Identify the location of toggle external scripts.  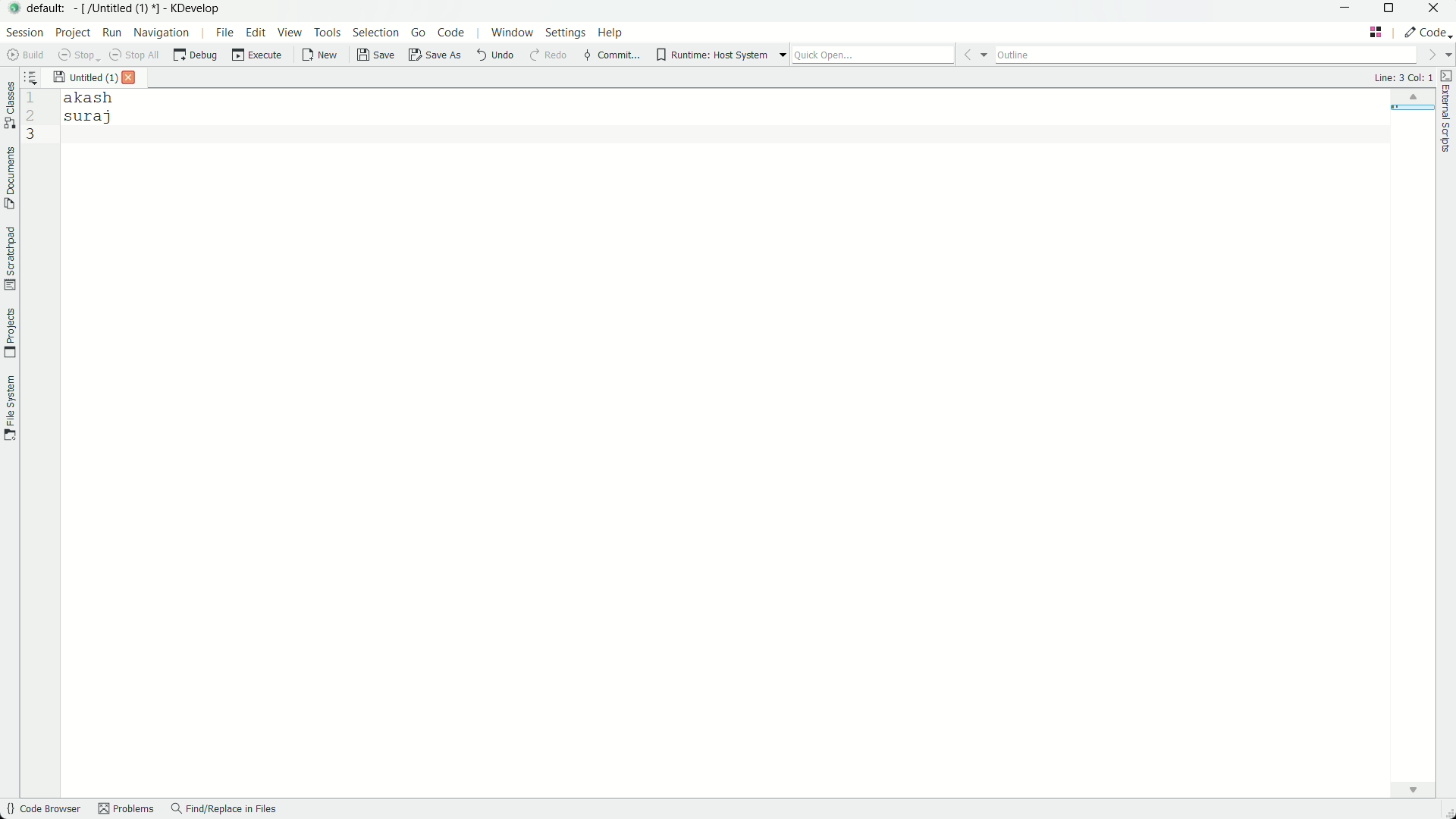
(1447, 111).